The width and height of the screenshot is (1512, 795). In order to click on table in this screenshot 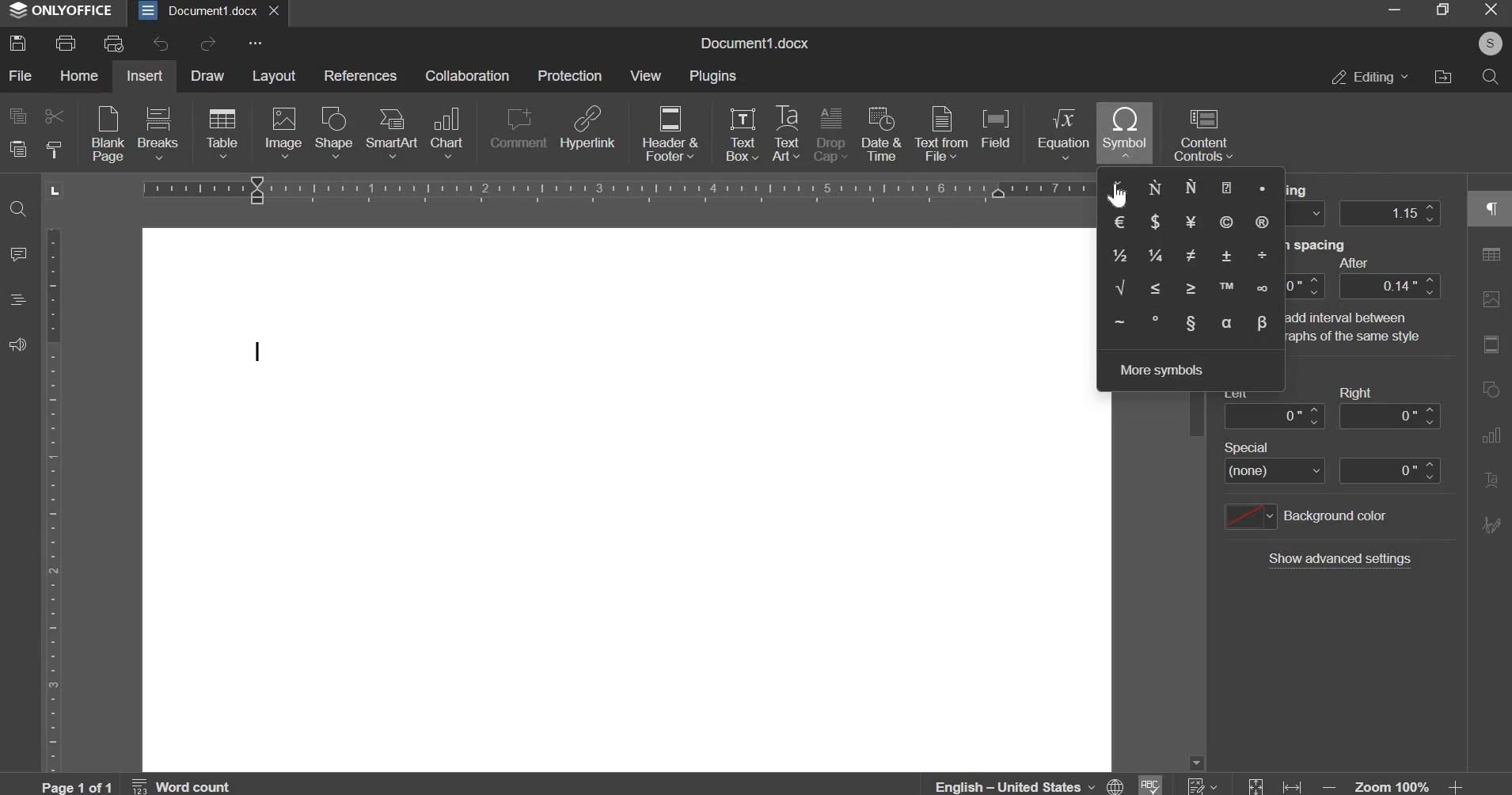, I will do `click(221, 132)`.